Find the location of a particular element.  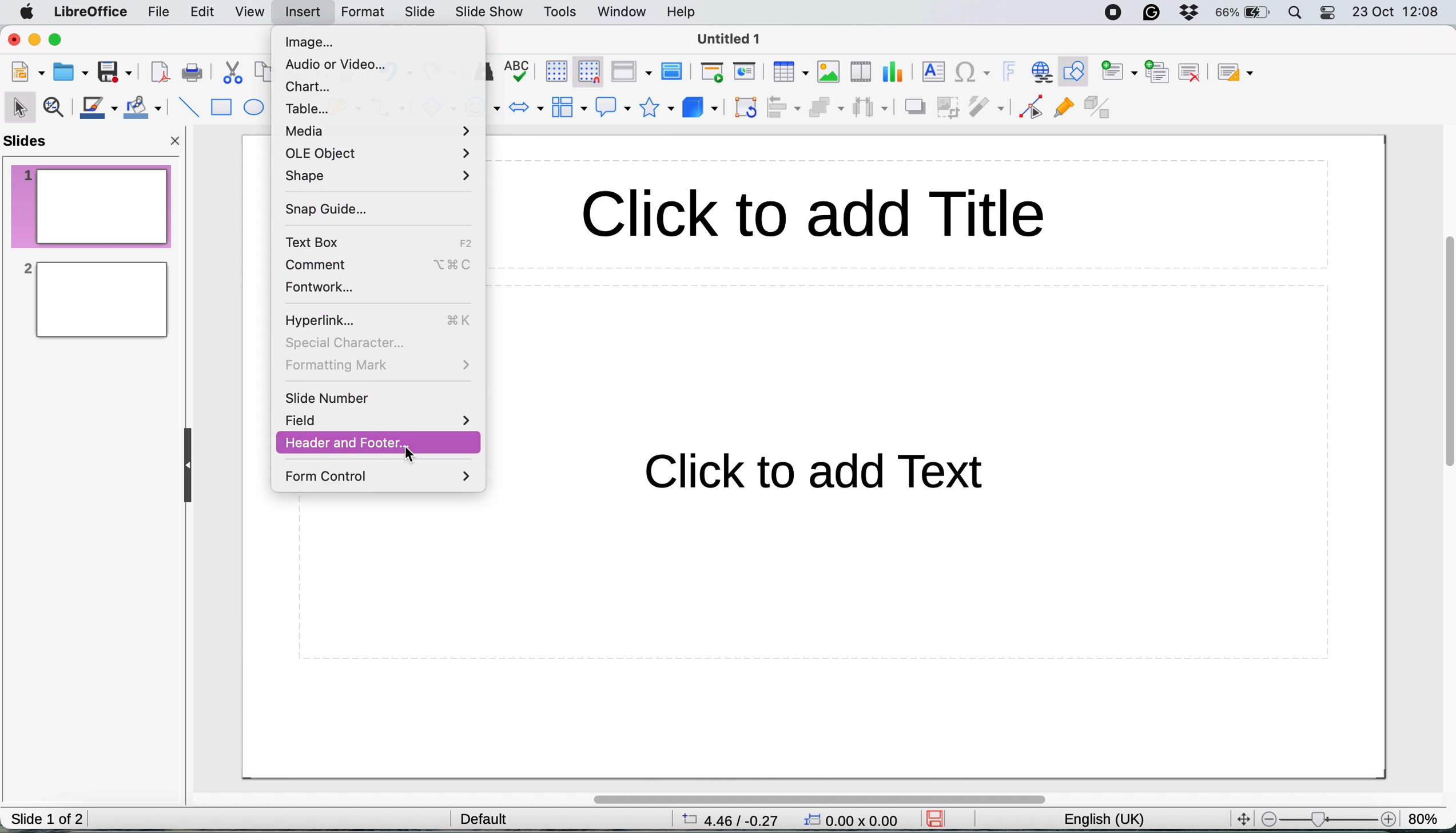

insert text is located at coordinates (931, 71).